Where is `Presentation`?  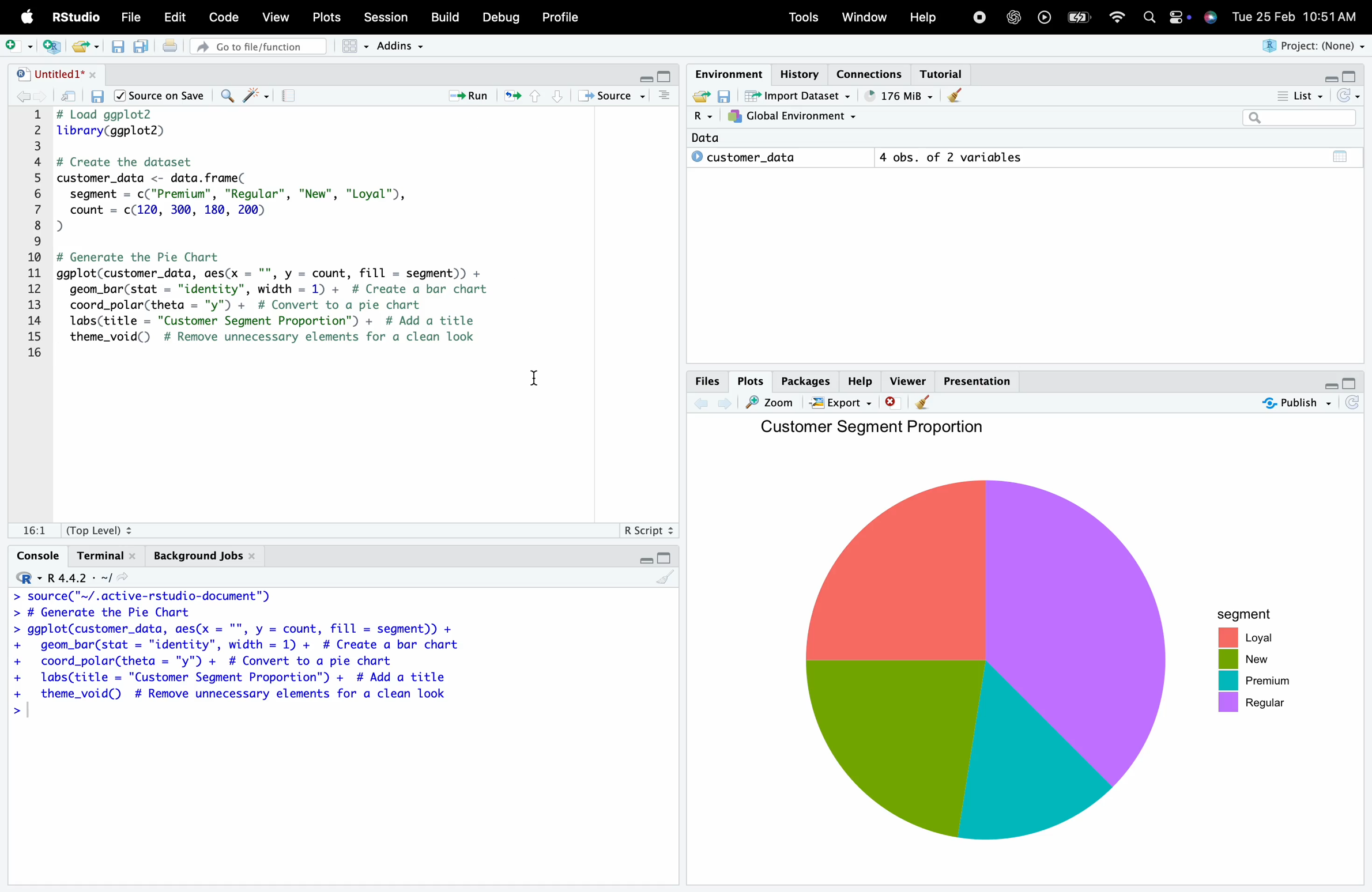 Presentation is located at coordinates (976, 379).